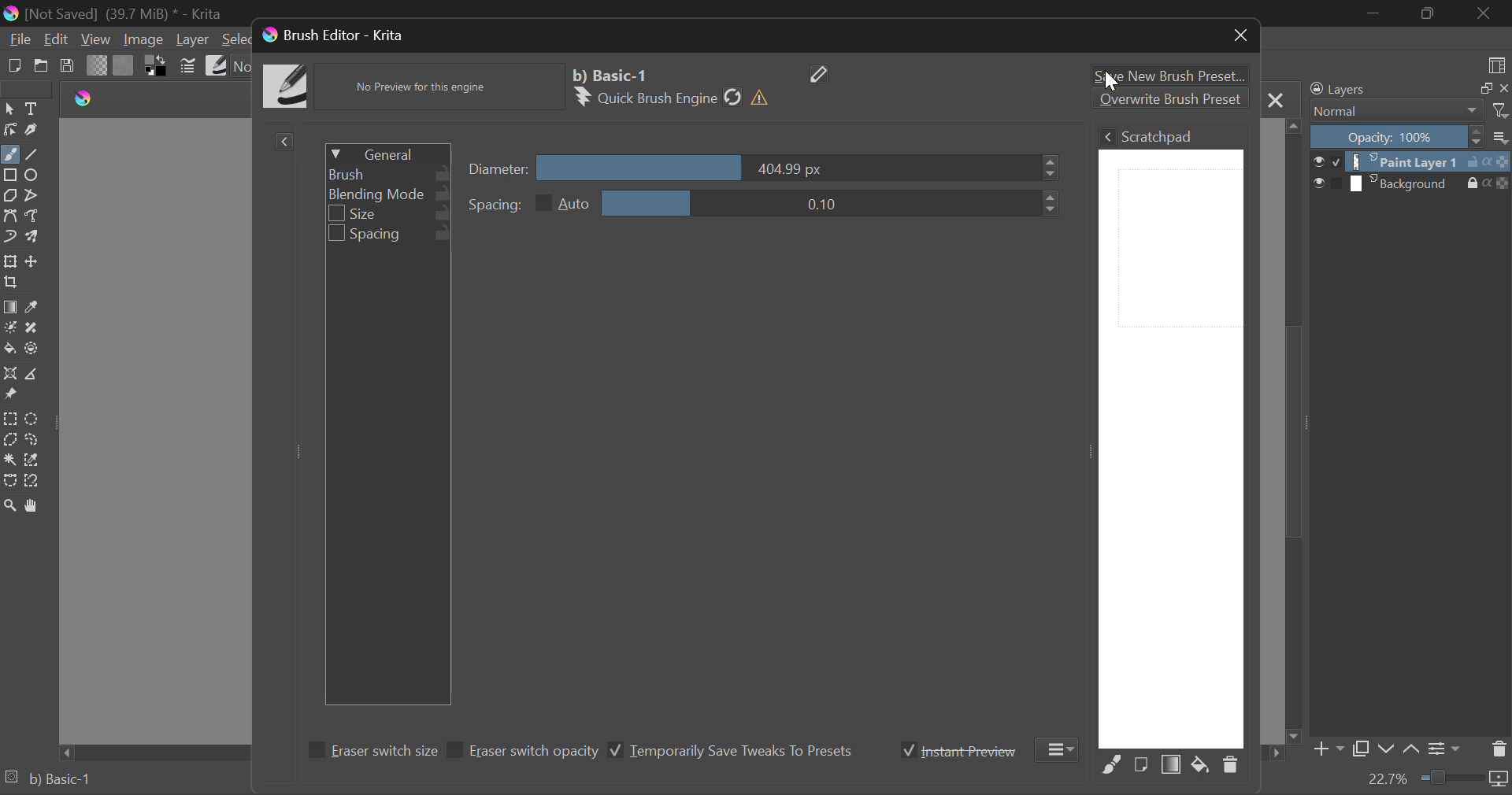 The image size is (1512, 795). I want to click on Show Presets, so click(283, 142).